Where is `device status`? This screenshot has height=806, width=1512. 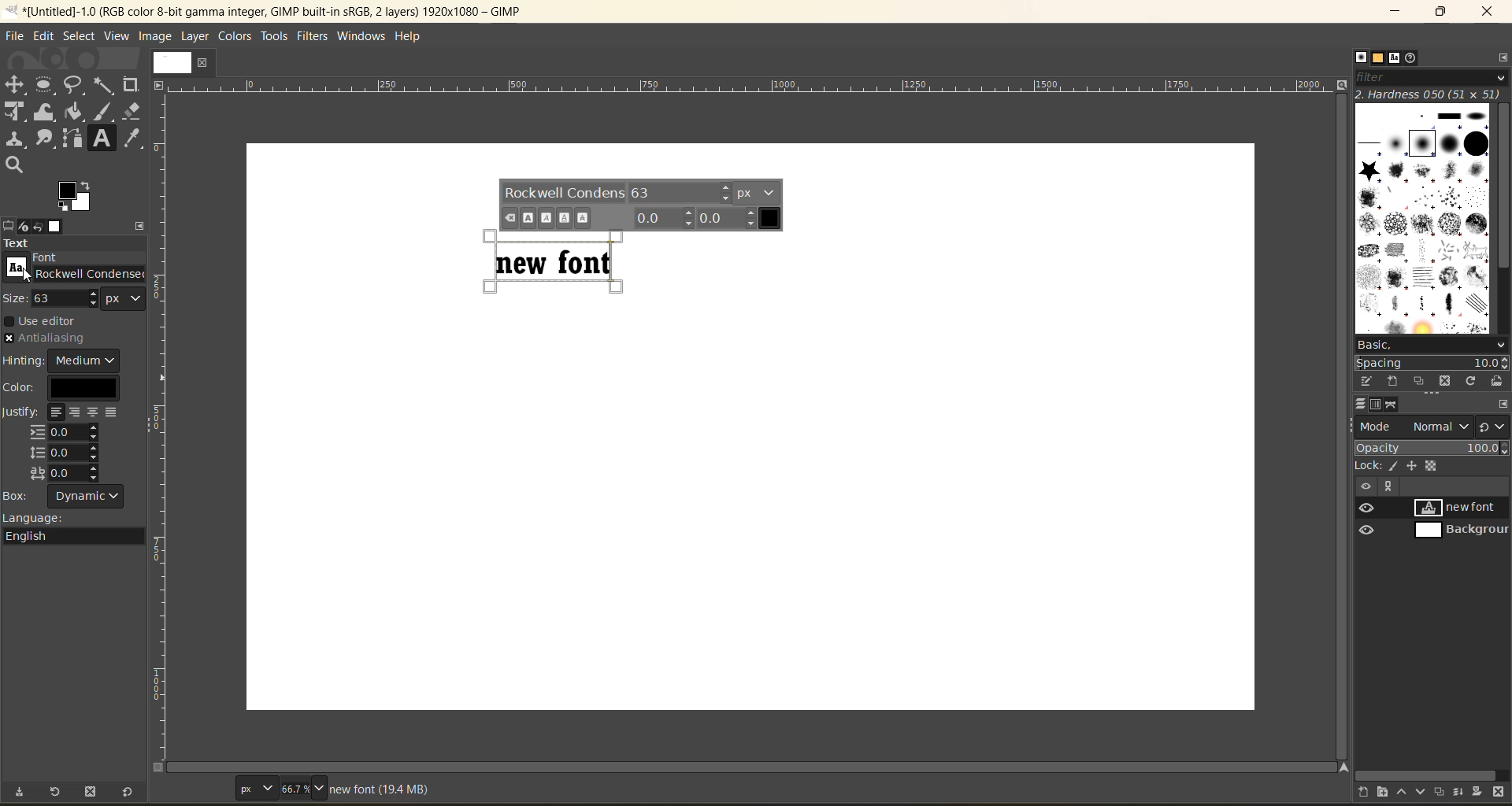
device status is located at coordinates (26, 226).